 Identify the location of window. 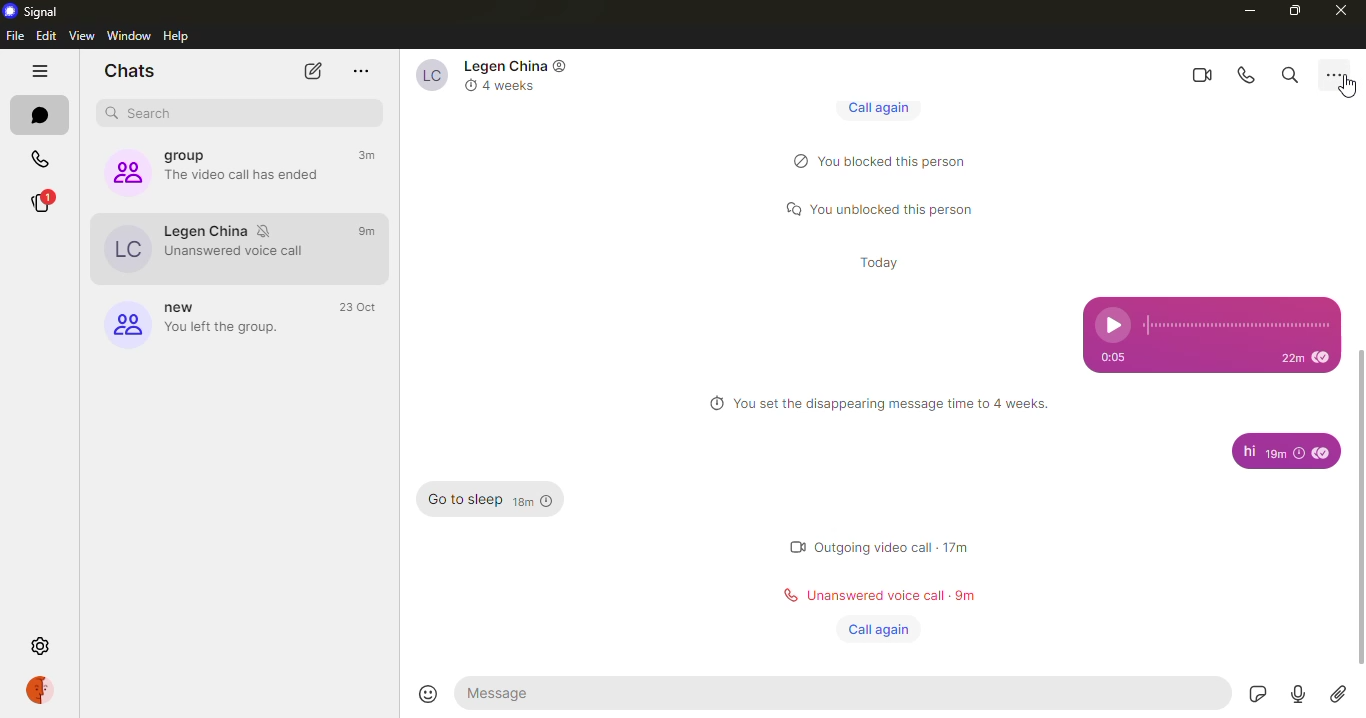
(130, 35).